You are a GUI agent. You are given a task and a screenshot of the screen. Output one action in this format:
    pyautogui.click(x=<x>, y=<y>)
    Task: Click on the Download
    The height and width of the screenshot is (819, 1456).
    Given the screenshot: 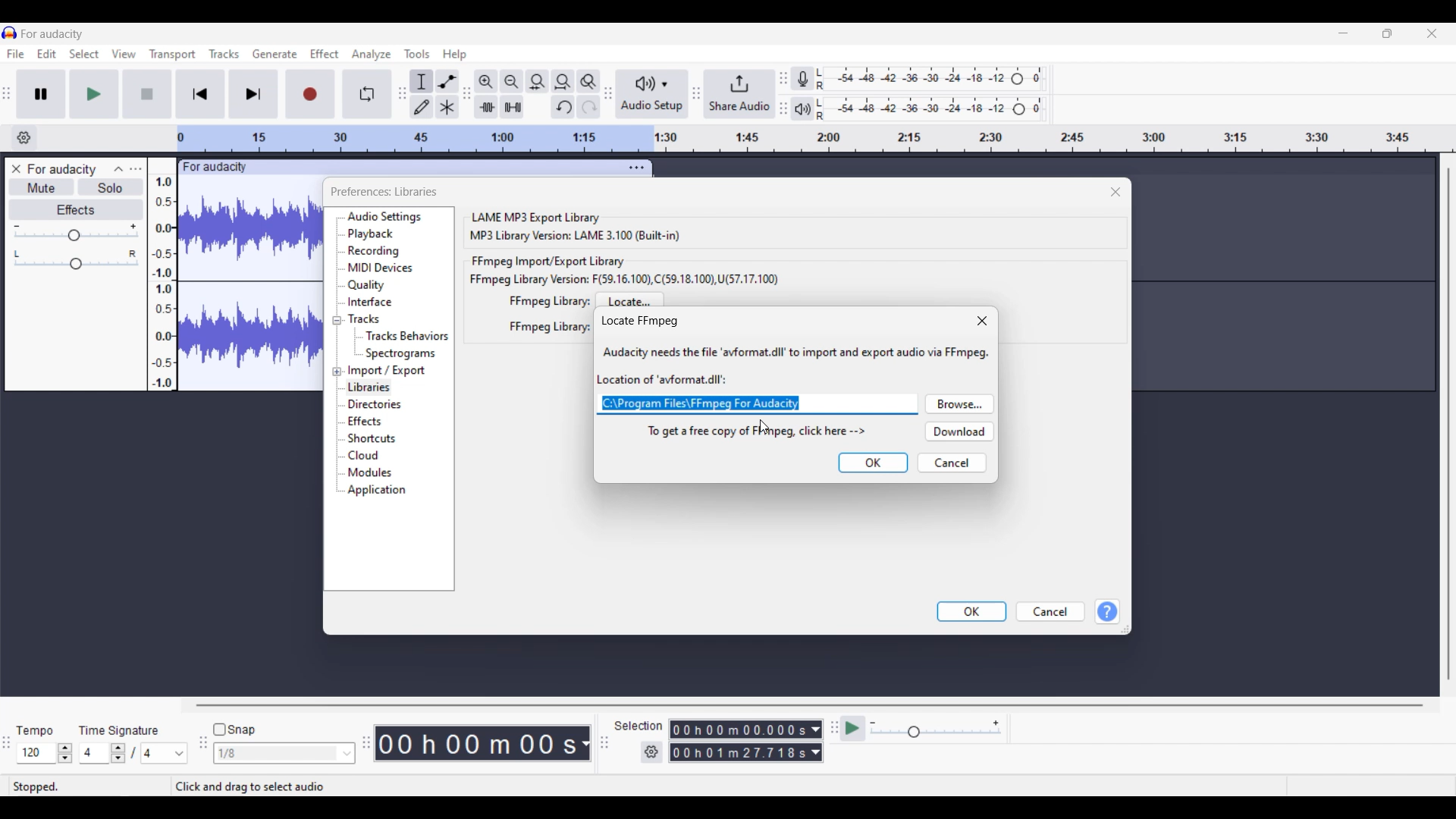 What is the action you would take?
    pyautogui.click(x=959, y=431)
    